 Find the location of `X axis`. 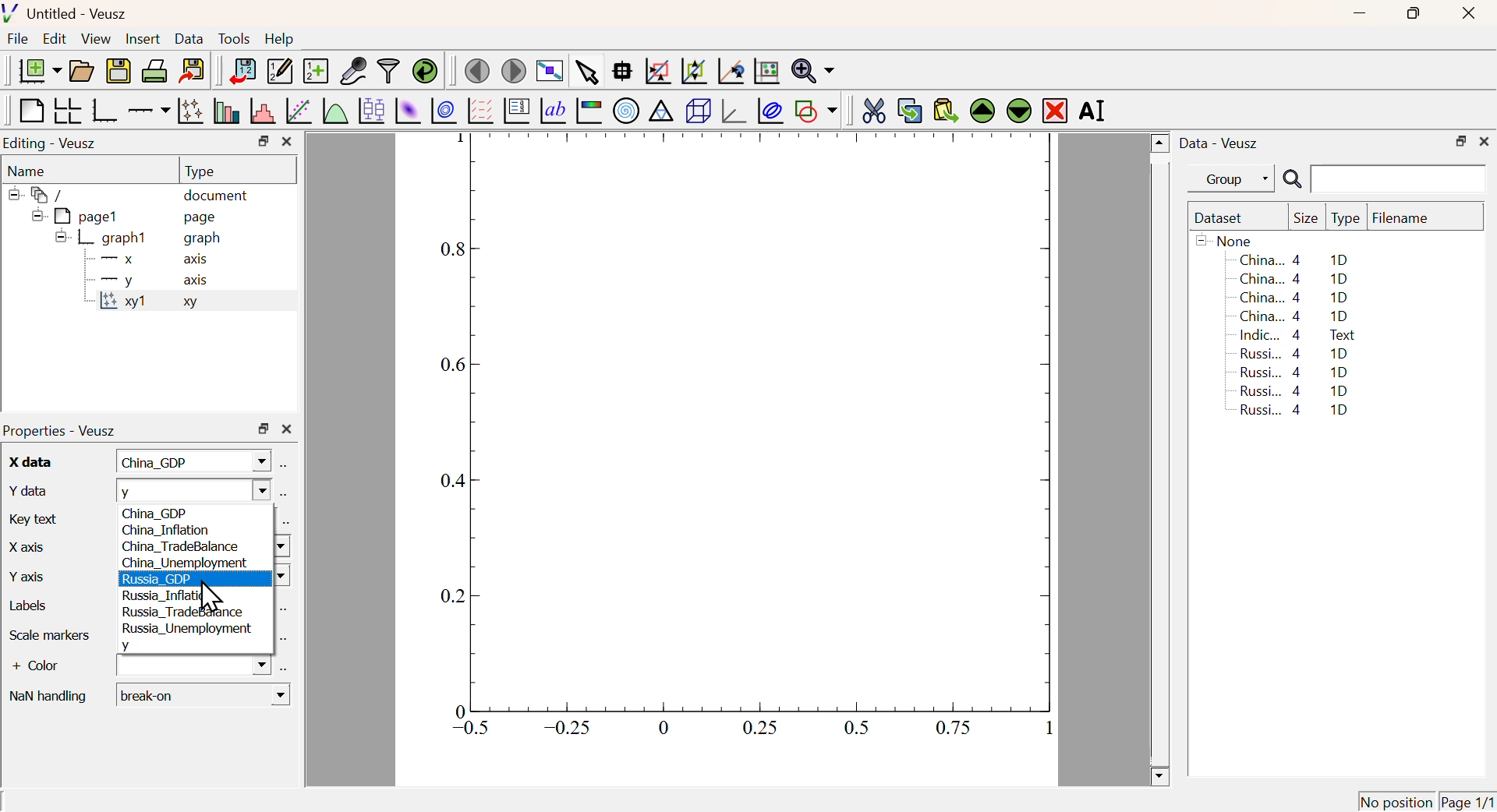

X axis is located at coordinates (147, 259).